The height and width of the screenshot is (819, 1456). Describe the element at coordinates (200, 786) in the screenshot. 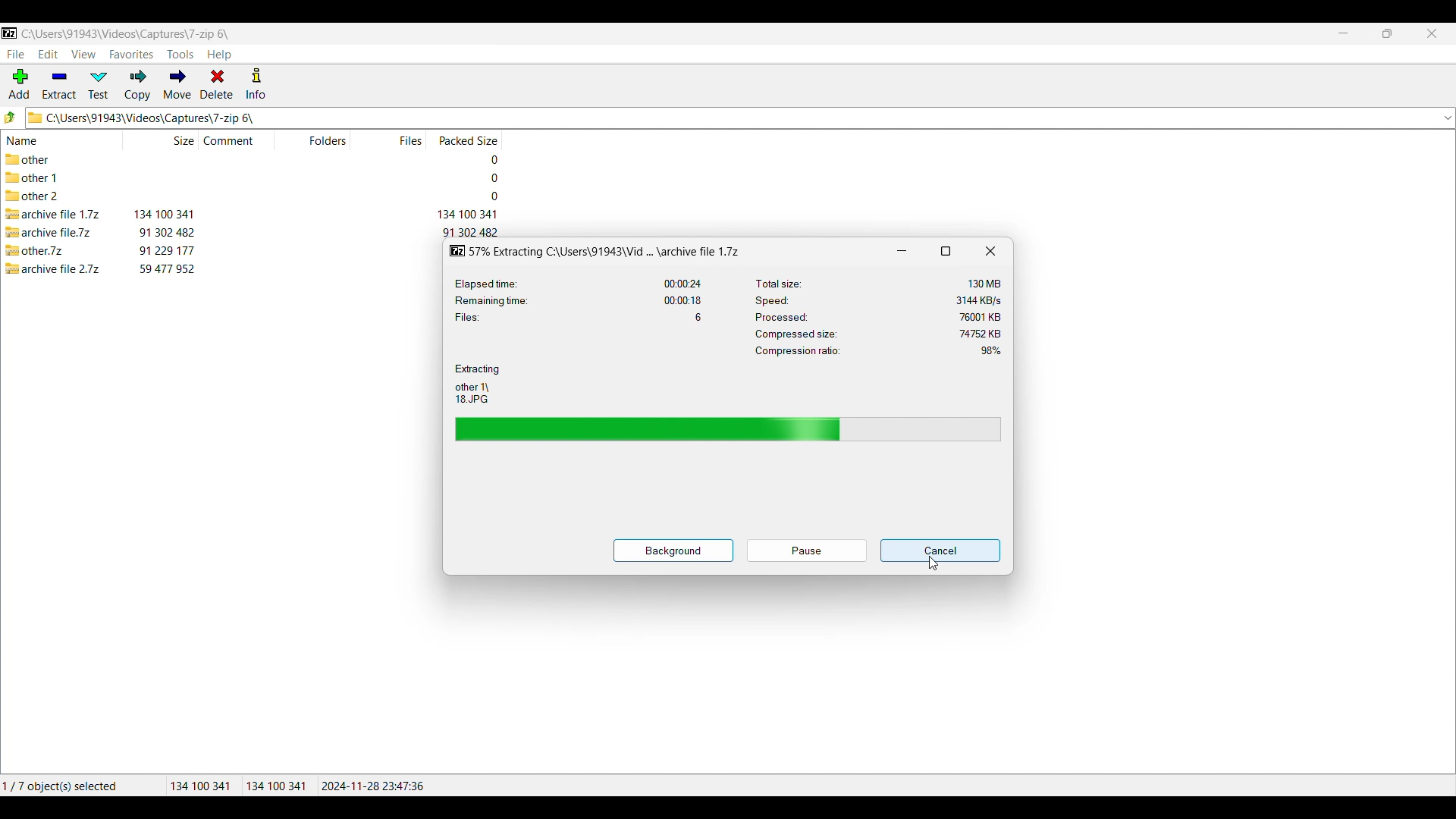

I see `134100 341` at that location.